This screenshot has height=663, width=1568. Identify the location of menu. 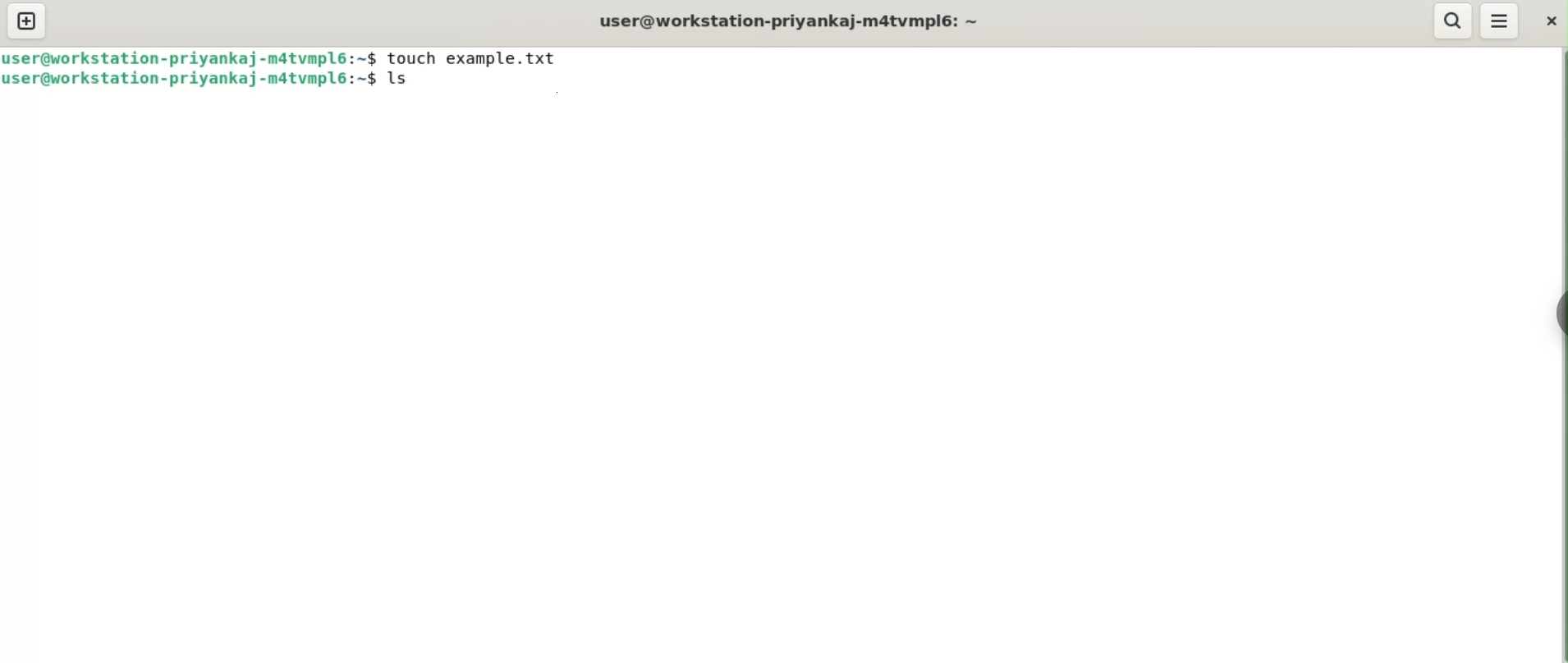
(1501, 22).